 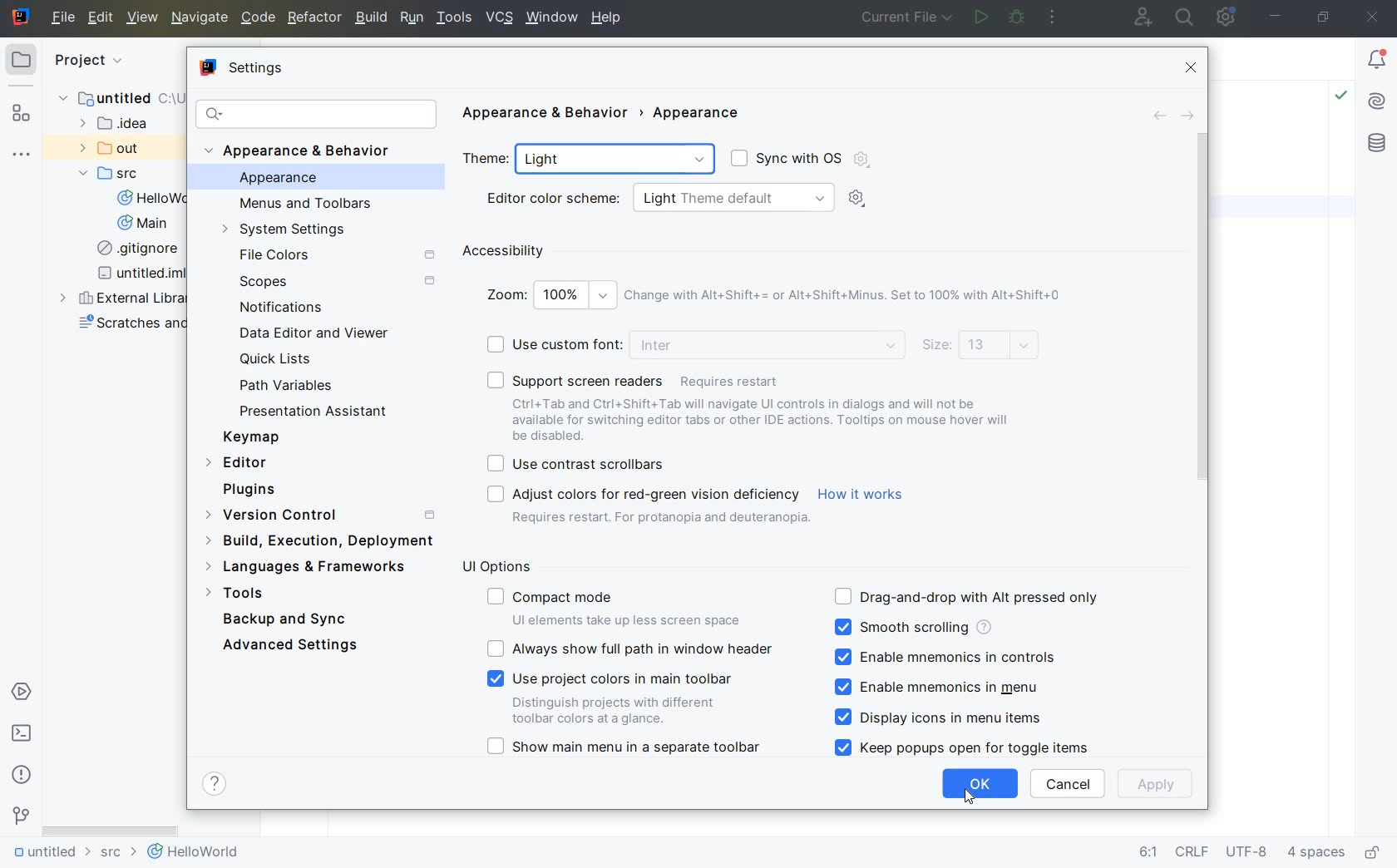 I want to click on (UTF-8)file encoding), so click(x=1249, y=855).